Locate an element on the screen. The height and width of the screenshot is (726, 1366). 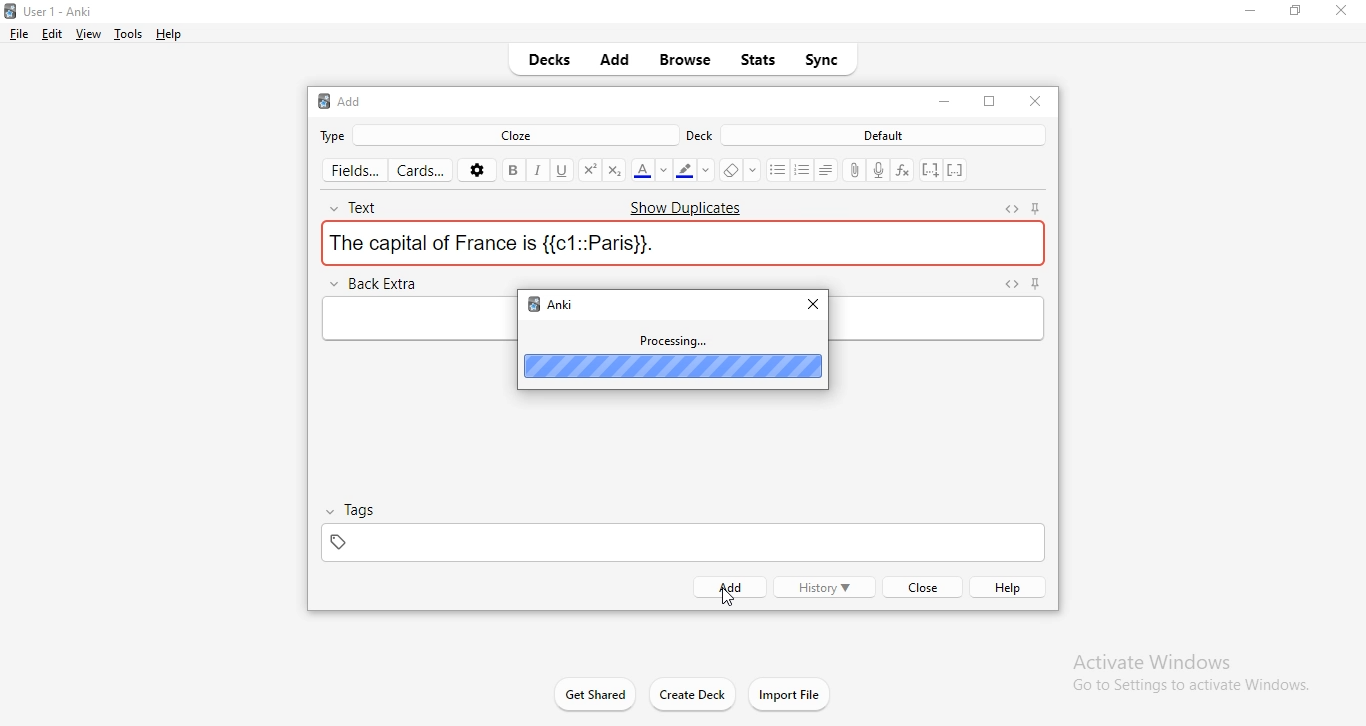
history is located at coordinates (824, 588).